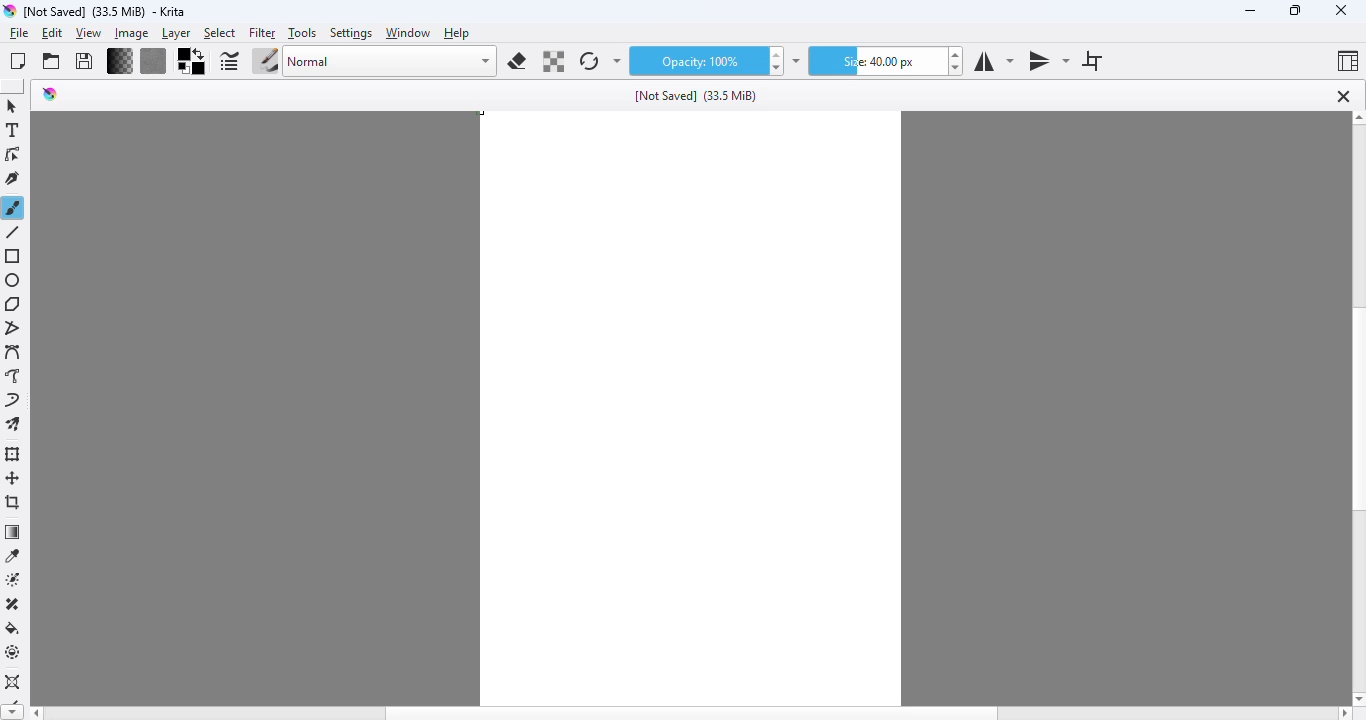 The height and width of the screenshot is (720, 1366). I want to click on line tool, so click(13, 235).